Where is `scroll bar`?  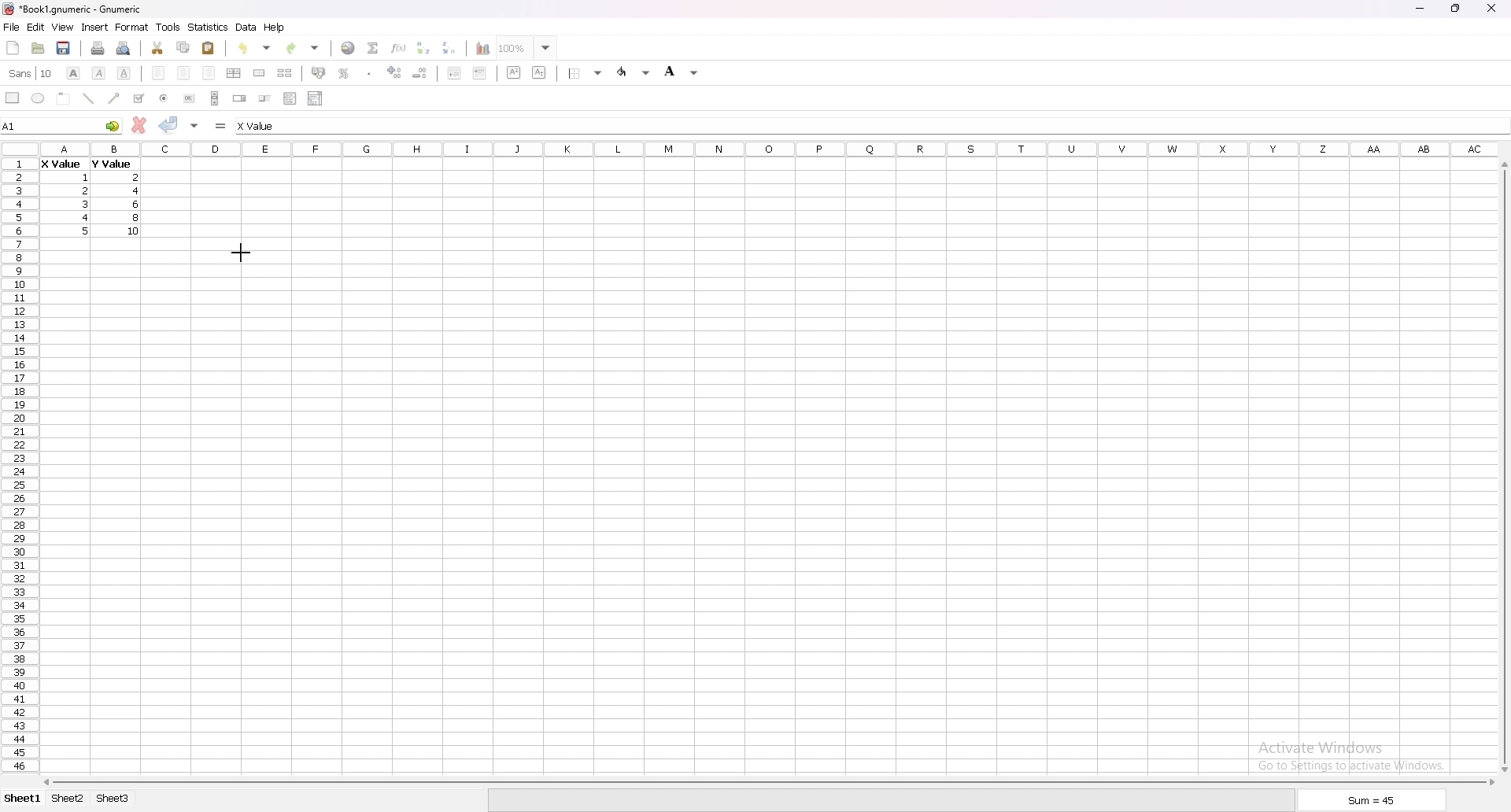
scroll bar is located at coordinates (767, 782).